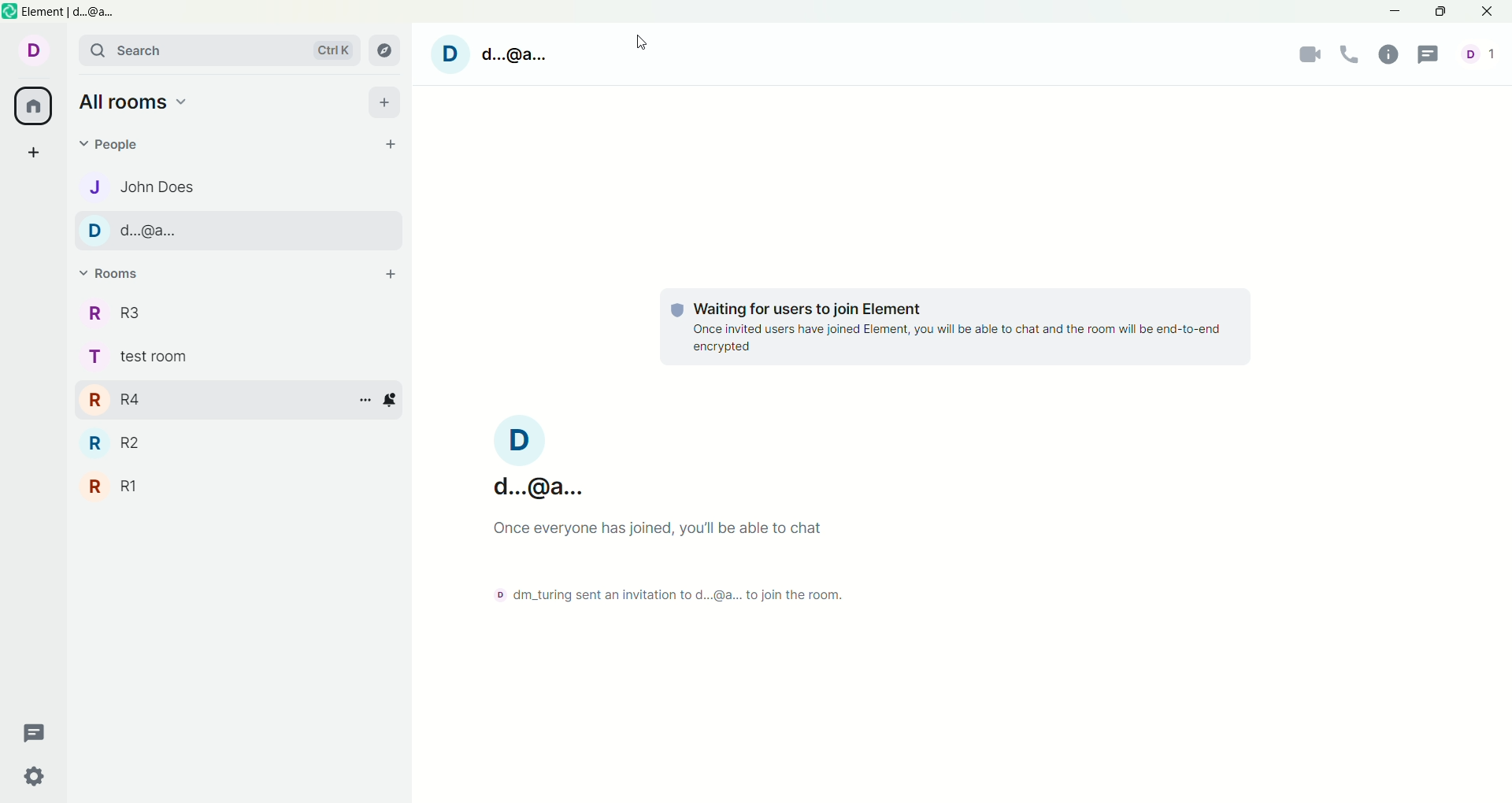 Image resolution: width=1512 pixels, height=803 pixels. I want to click on threads, so click(1438, 55).